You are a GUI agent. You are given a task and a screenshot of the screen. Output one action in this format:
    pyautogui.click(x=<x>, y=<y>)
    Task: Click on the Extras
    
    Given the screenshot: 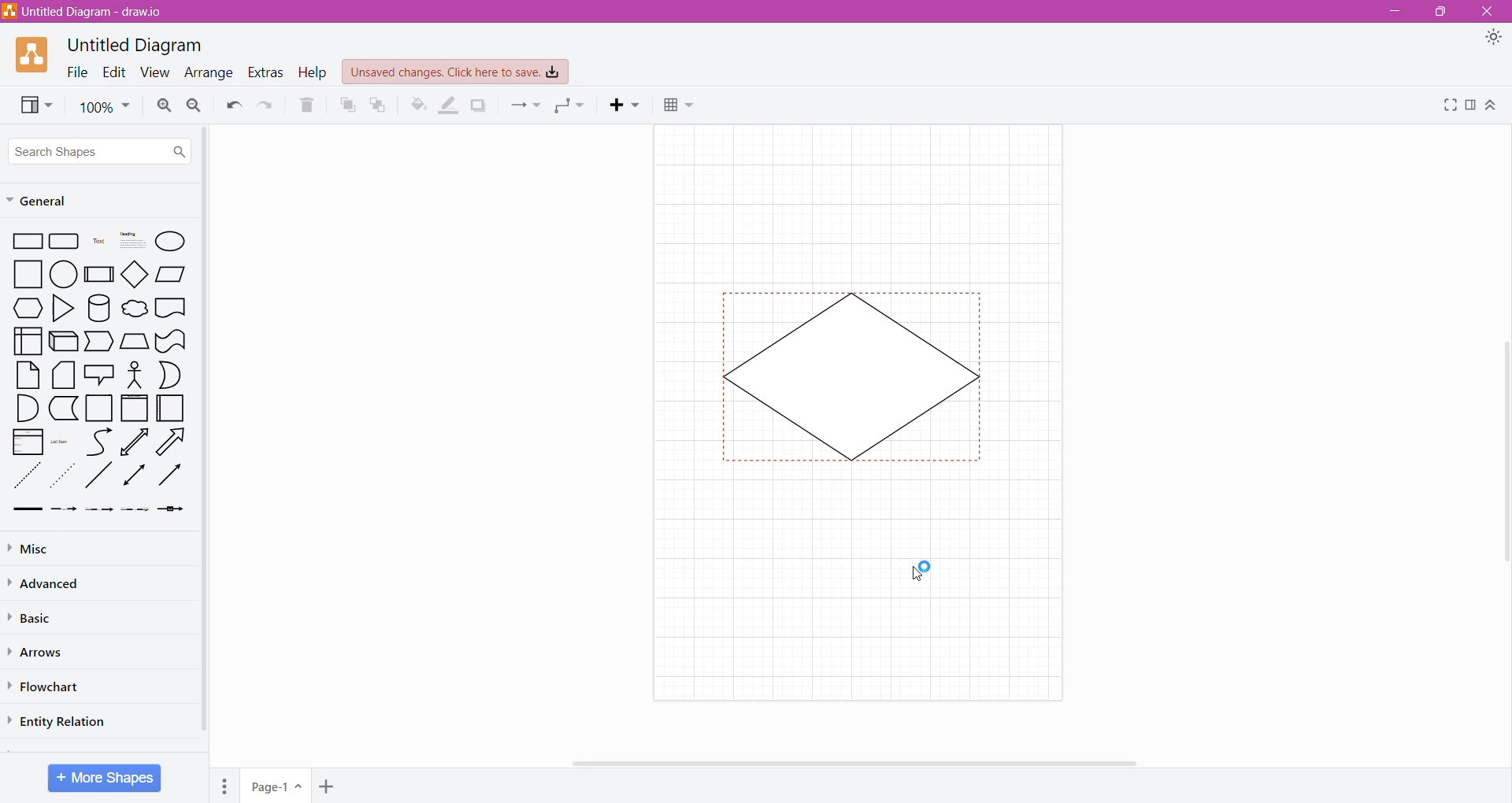 What is the action you would take?
    pyautogui.click(x=265, y=72)
    